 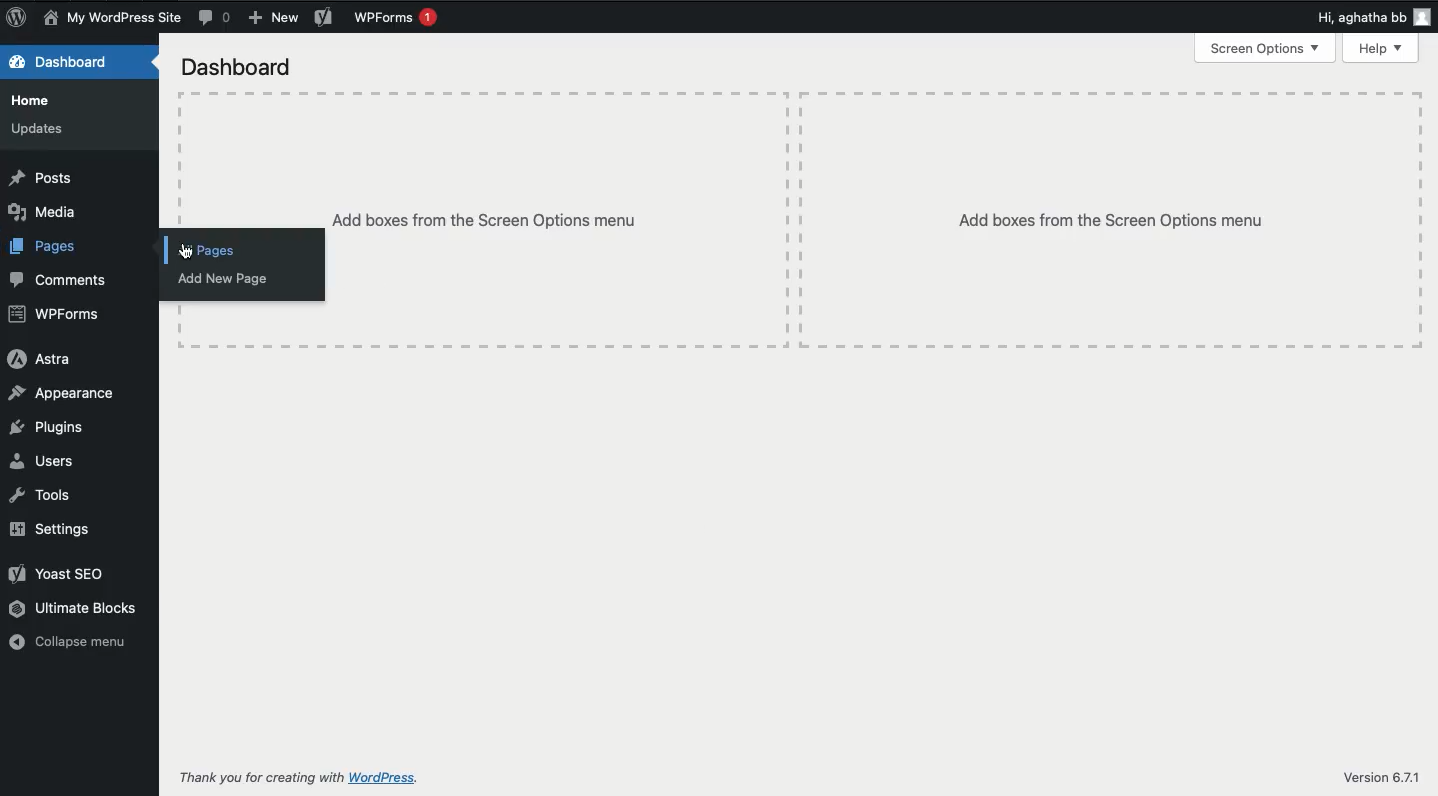 I want to click on All pages, so click(x=210, y=251).